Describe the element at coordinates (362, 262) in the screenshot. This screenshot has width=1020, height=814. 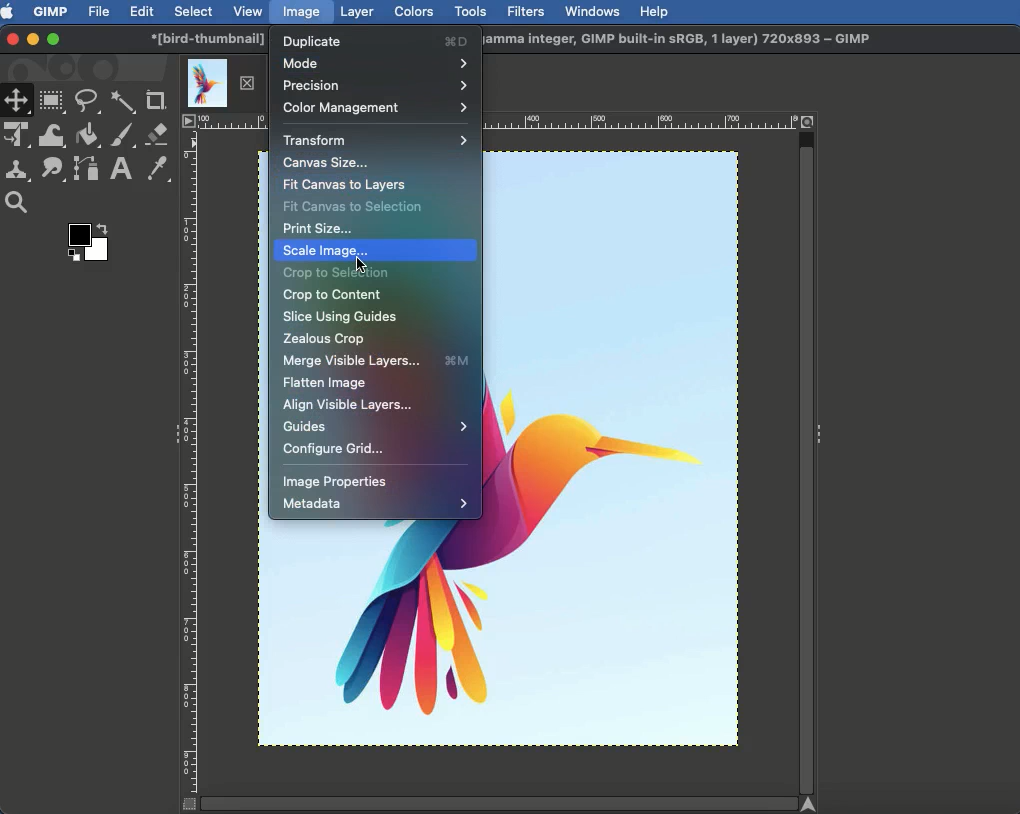
I see `cursor` at that location.